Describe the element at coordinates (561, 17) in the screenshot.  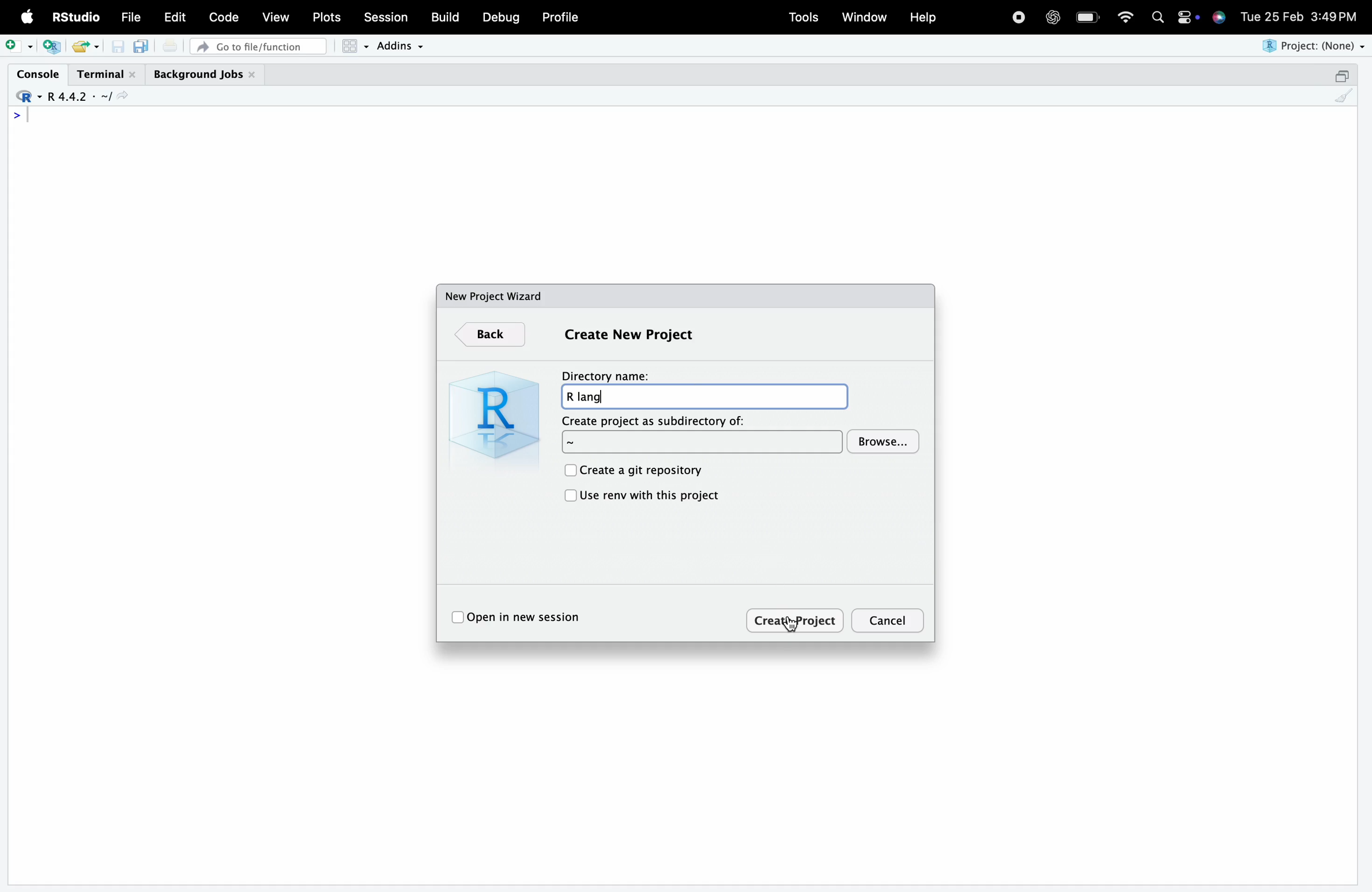
I see `Profile` at that location.